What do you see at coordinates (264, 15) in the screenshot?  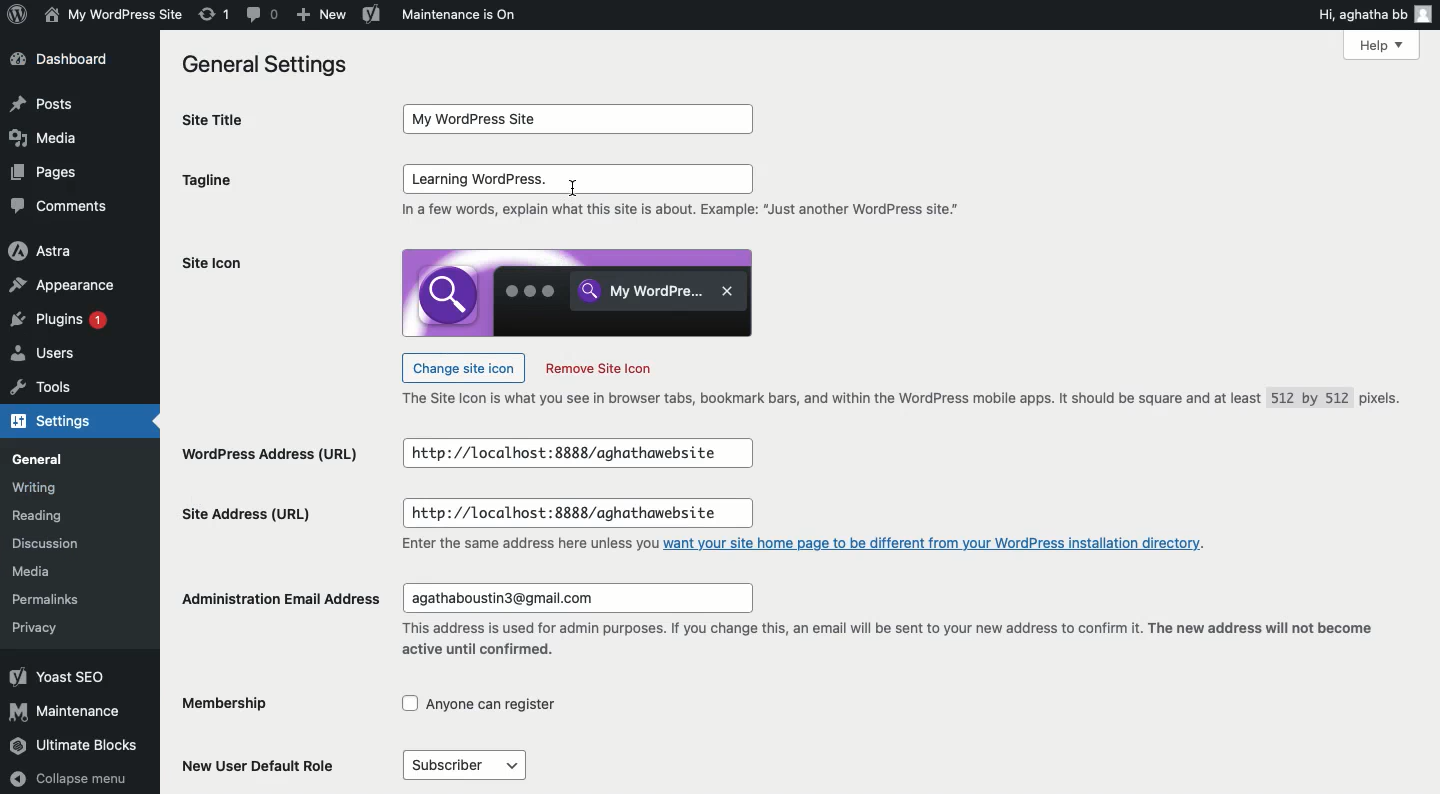 I see `Comment` at bounding box center [264, 15].